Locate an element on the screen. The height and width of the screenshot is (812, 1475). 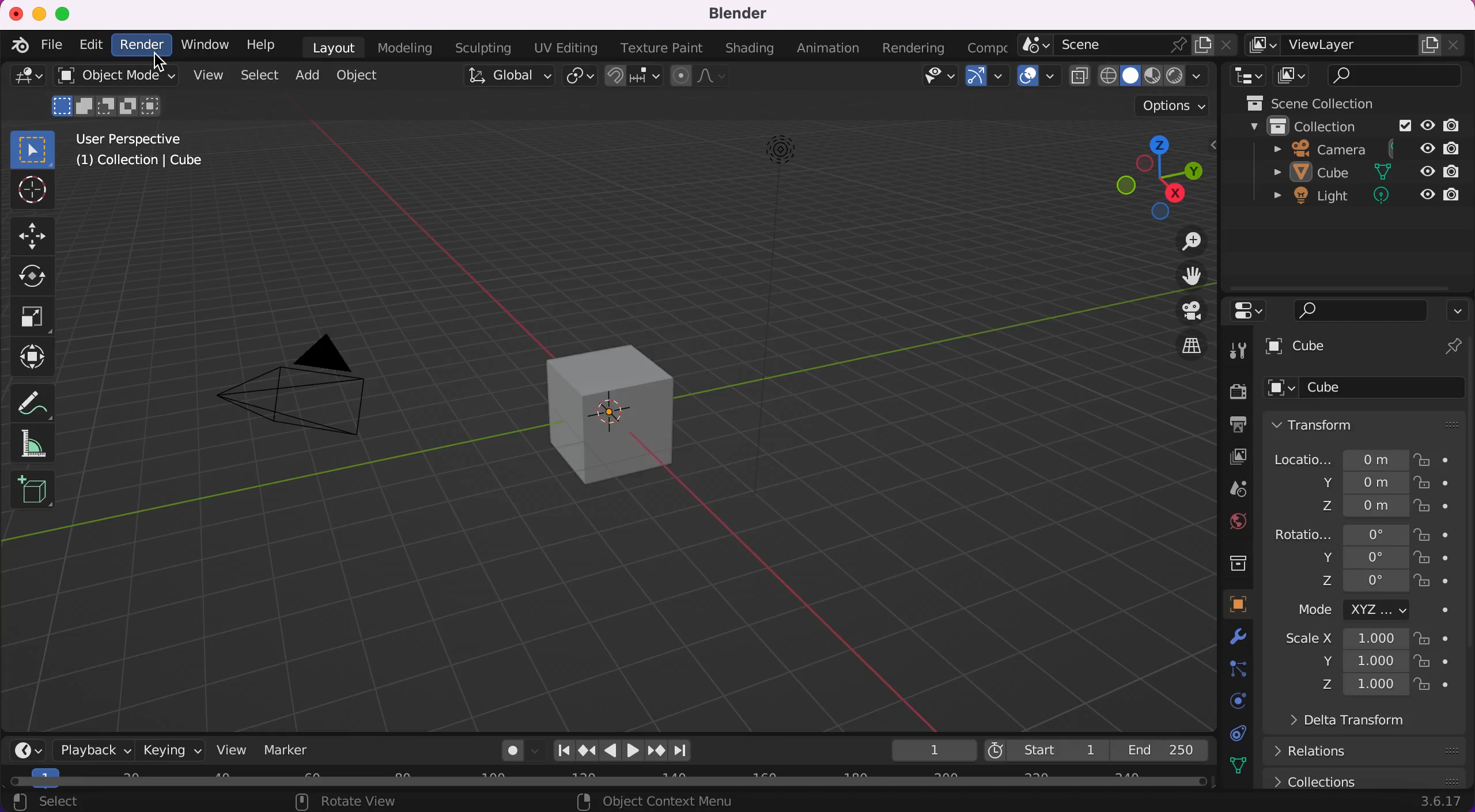
toggle x ray is located at coordinates (1080, 79).